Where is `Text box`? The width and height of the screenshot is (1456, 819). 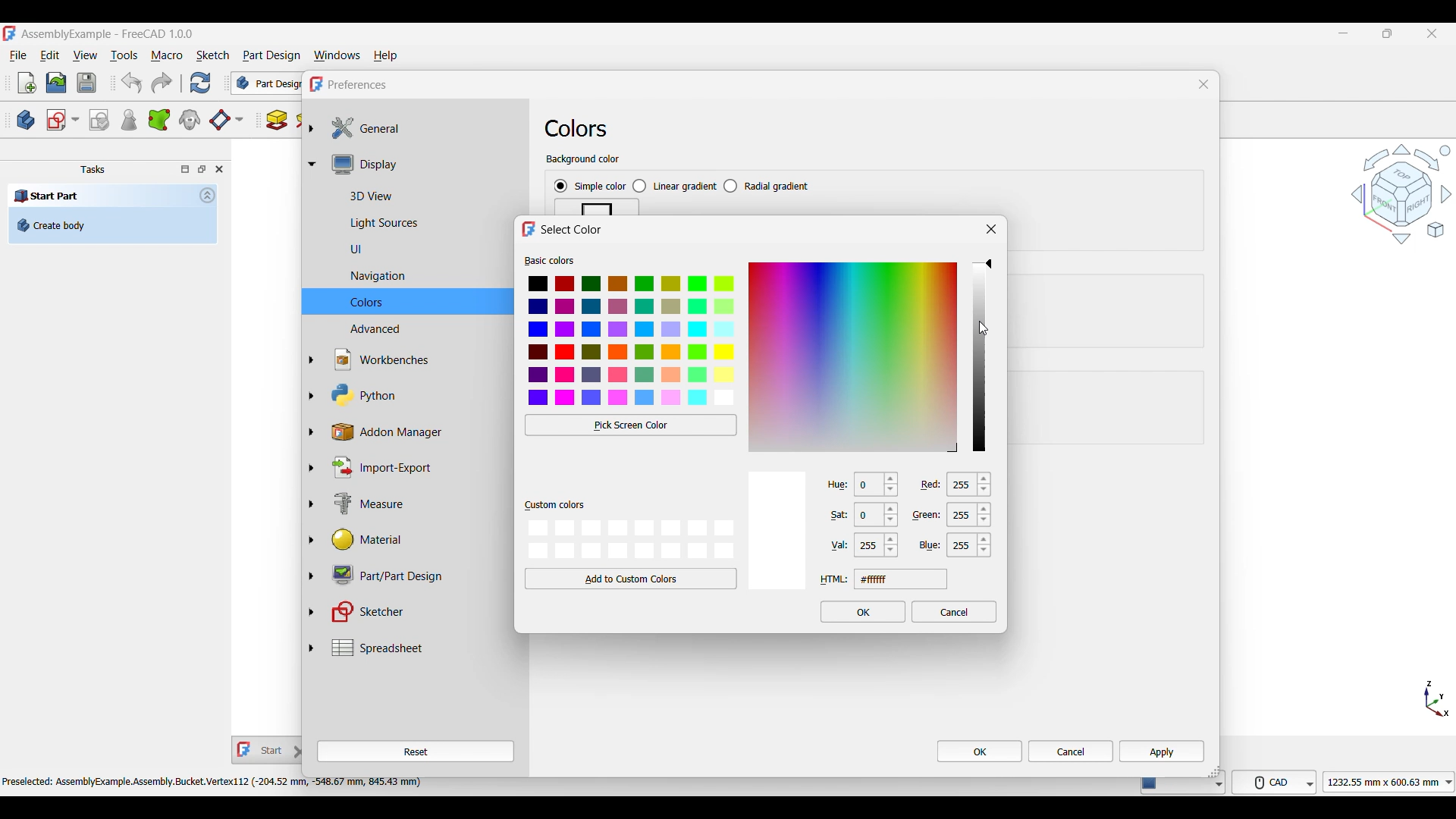
Text box is located at coordinates (901, 579).